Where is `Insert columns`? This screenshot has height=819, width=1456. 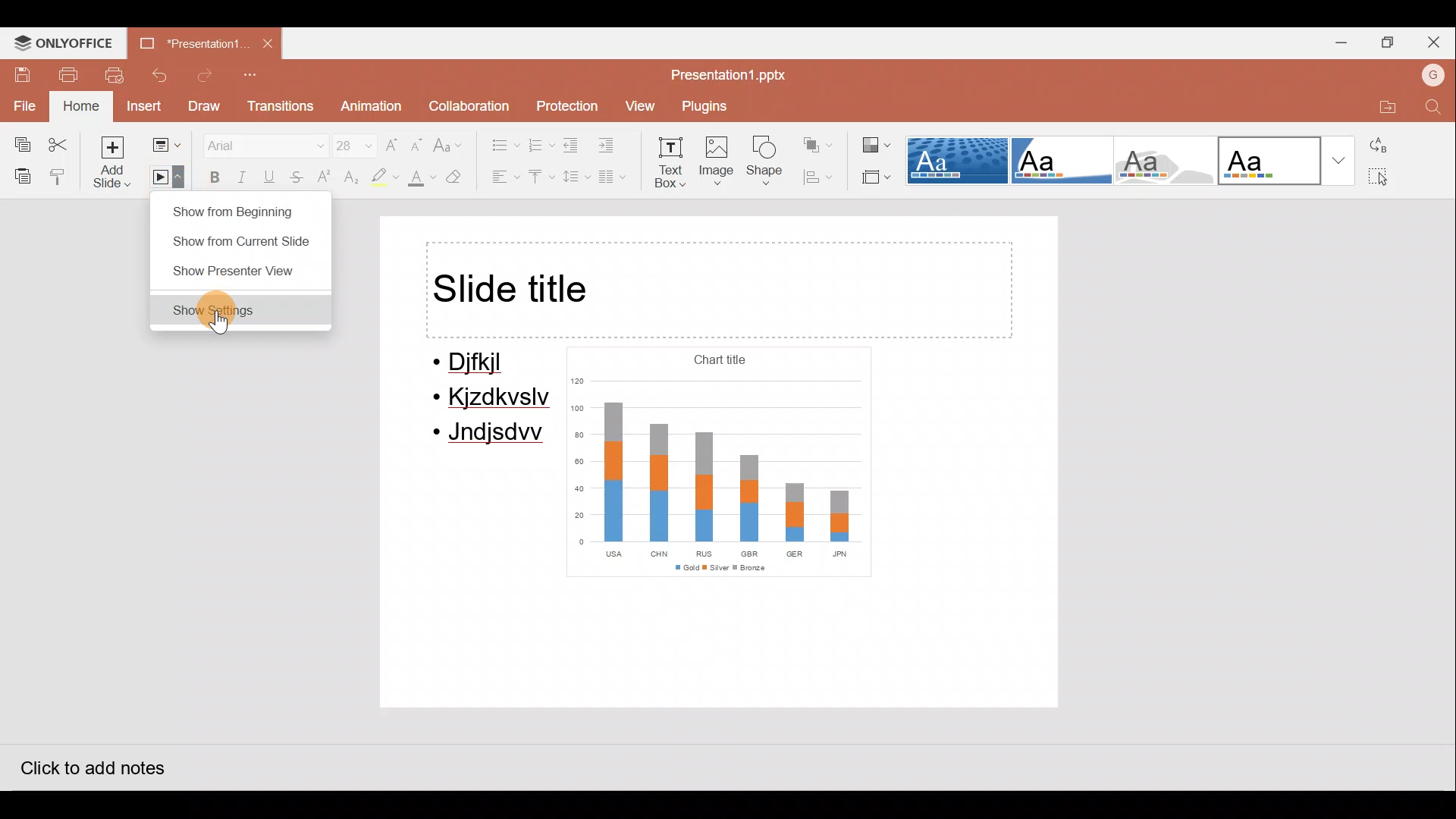
Insert columns is located at coordinates (613, 175).